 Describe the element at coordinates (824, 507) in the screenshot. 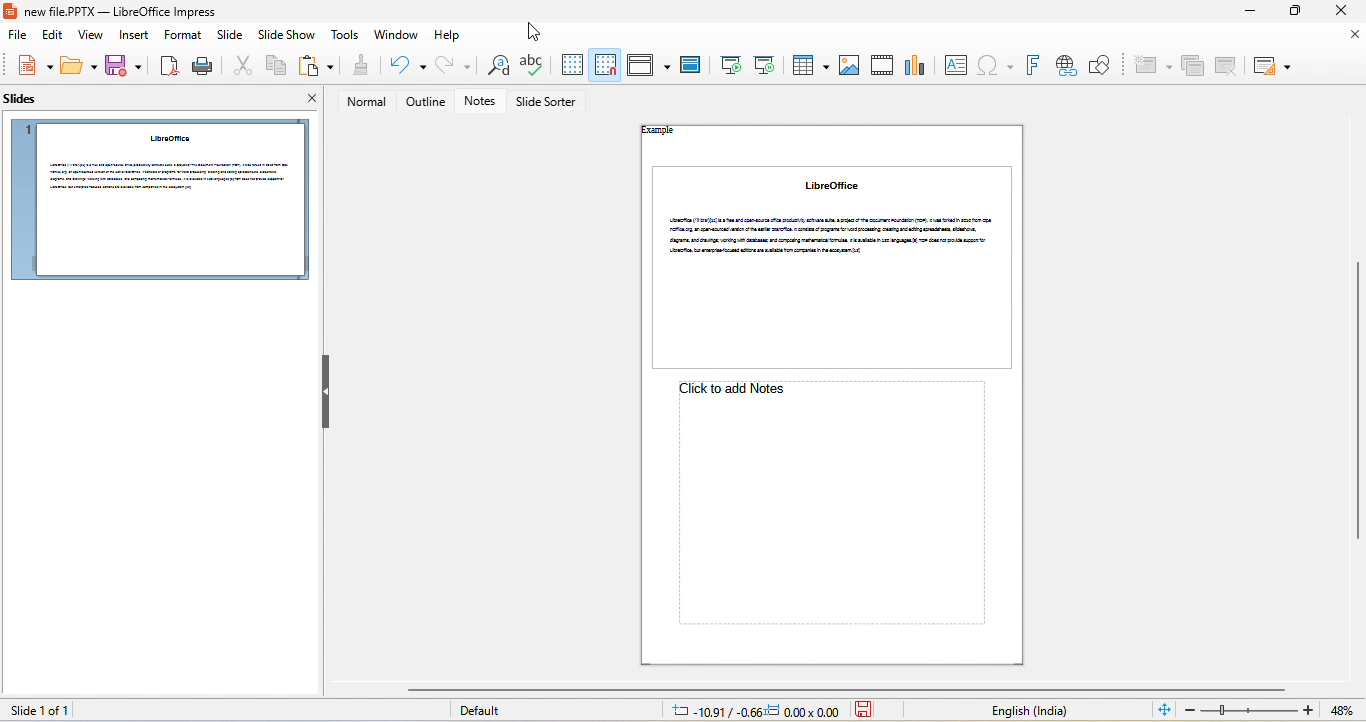

I see `click here to add notes` at that location.